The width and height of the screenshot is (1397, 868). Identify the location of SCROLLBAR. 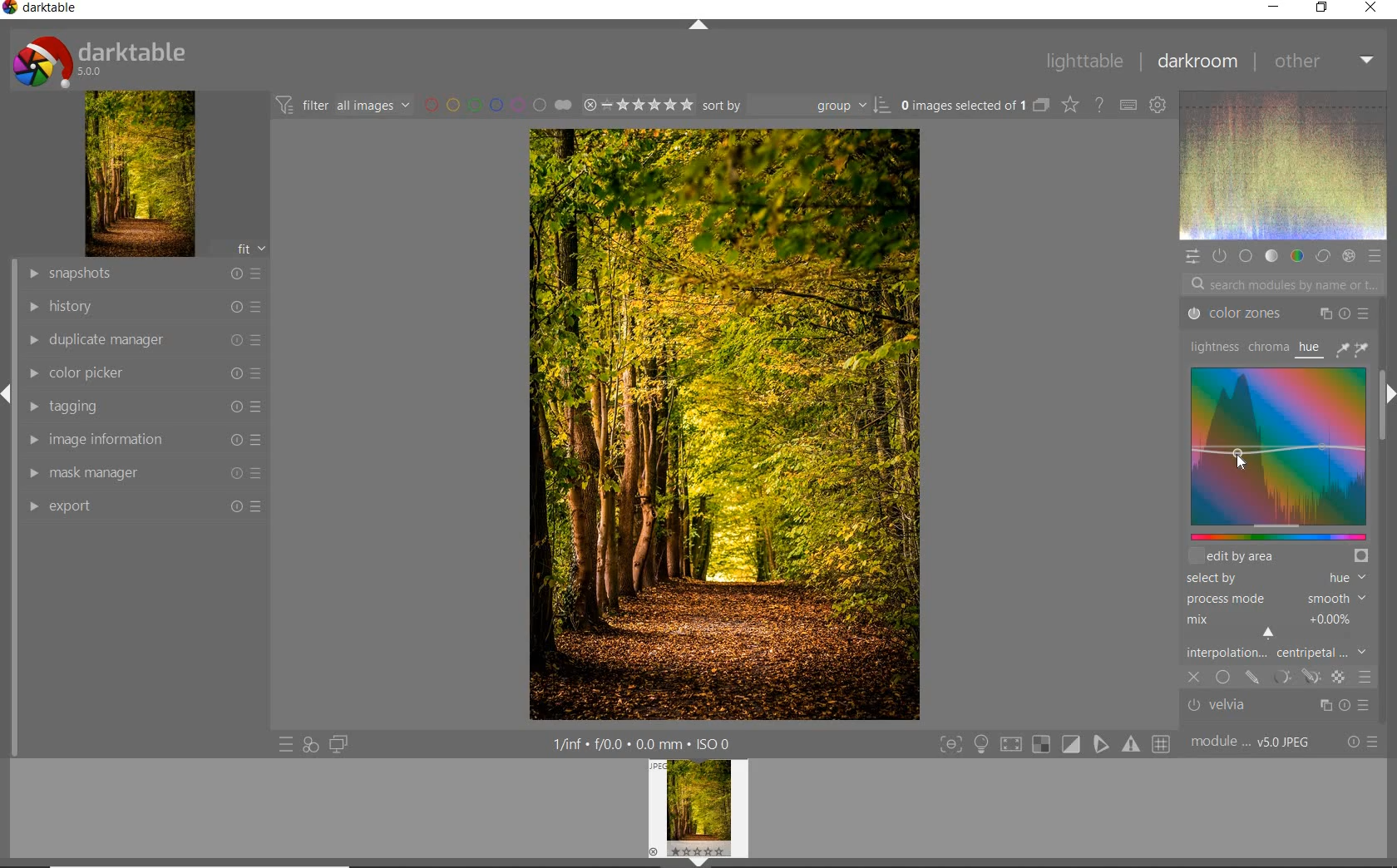
(1386, 427).